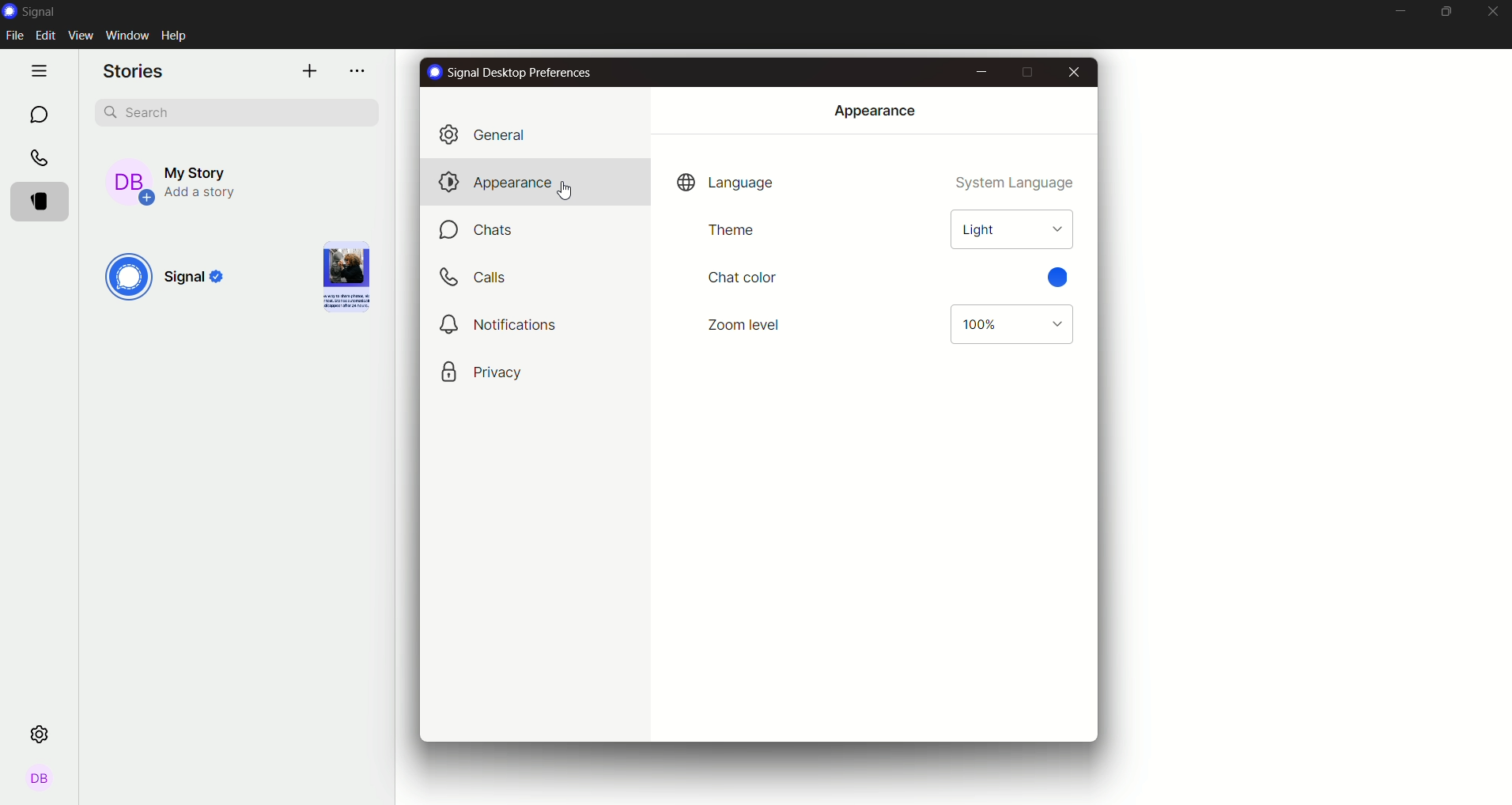 This screenshot has height=805, width=1512. Describe the element at coordinates (1447, 12) in the screenshot. I see `minimize maximize` at that location.